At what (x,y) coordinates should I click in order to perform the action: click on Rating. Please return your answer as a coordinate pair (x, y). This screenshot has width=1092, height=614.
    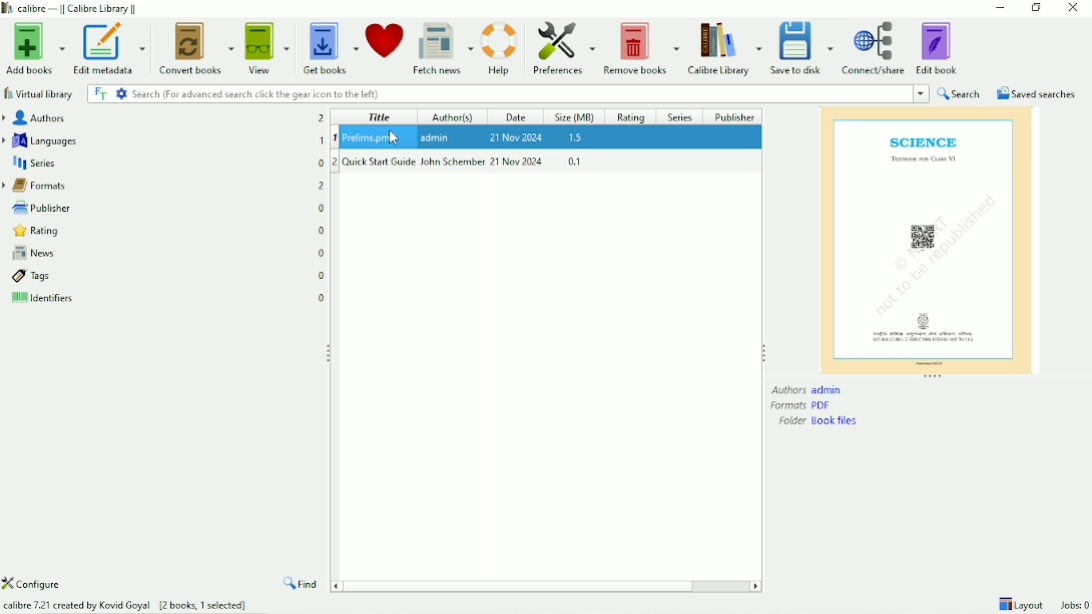
    Looking at the image, I should click on (33, 231).